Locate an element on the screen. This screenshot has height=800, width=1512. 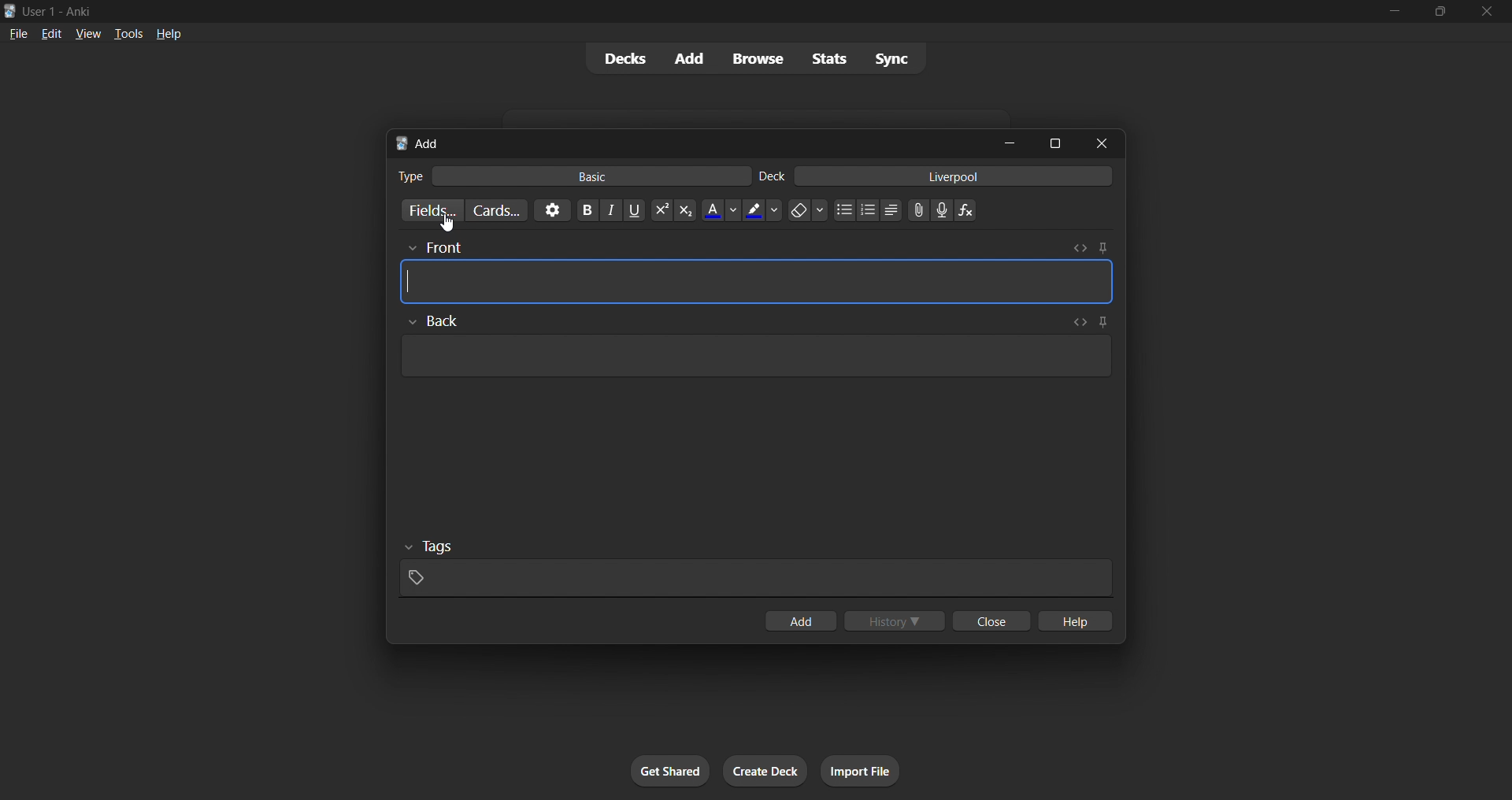
Anki logo is located at coordinates (10, 11).